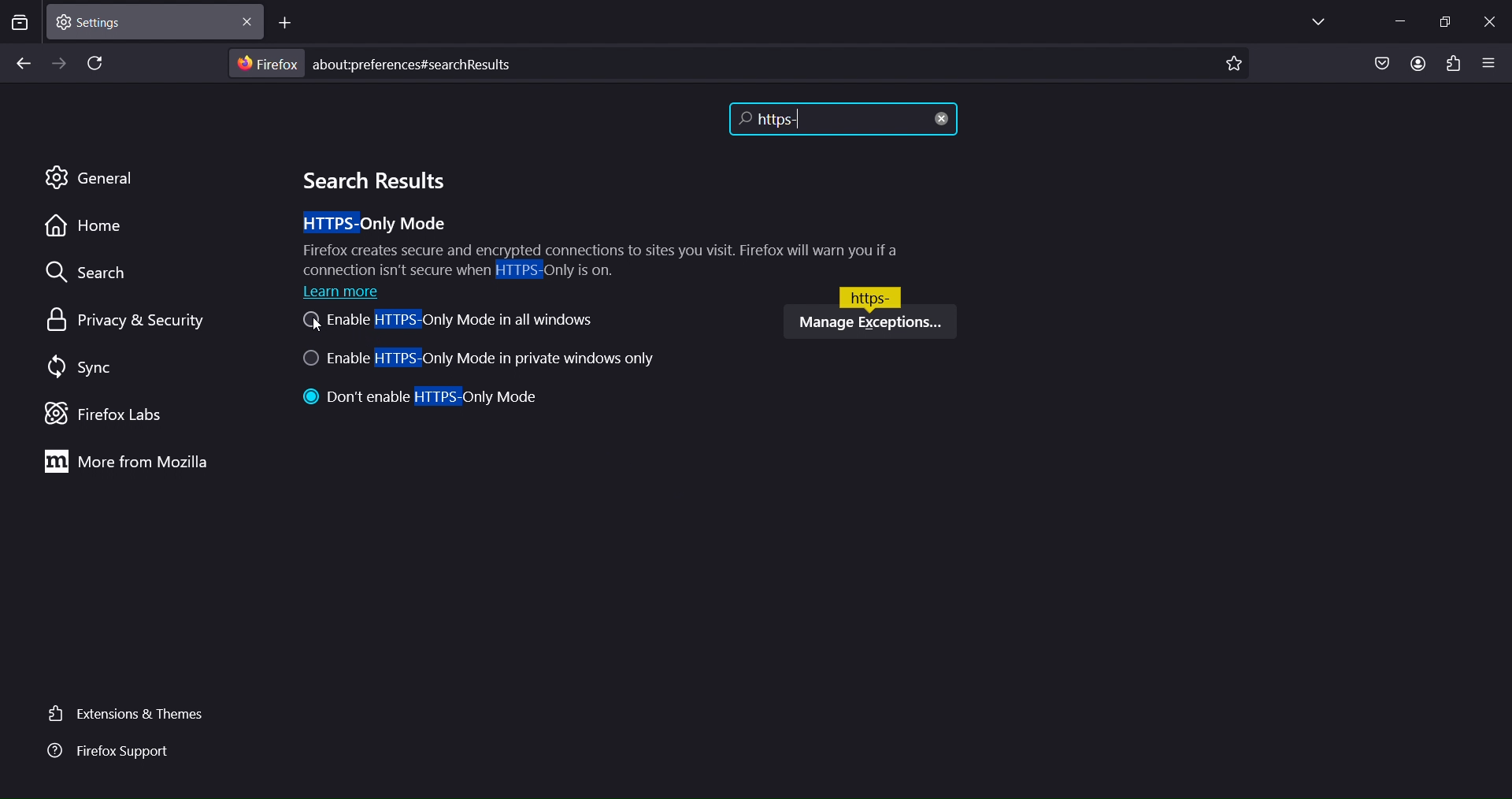  What do you see at coordinates (1325, 22) in the screenshot?
I see `list all tabs` at bounding box center [1325, 22].